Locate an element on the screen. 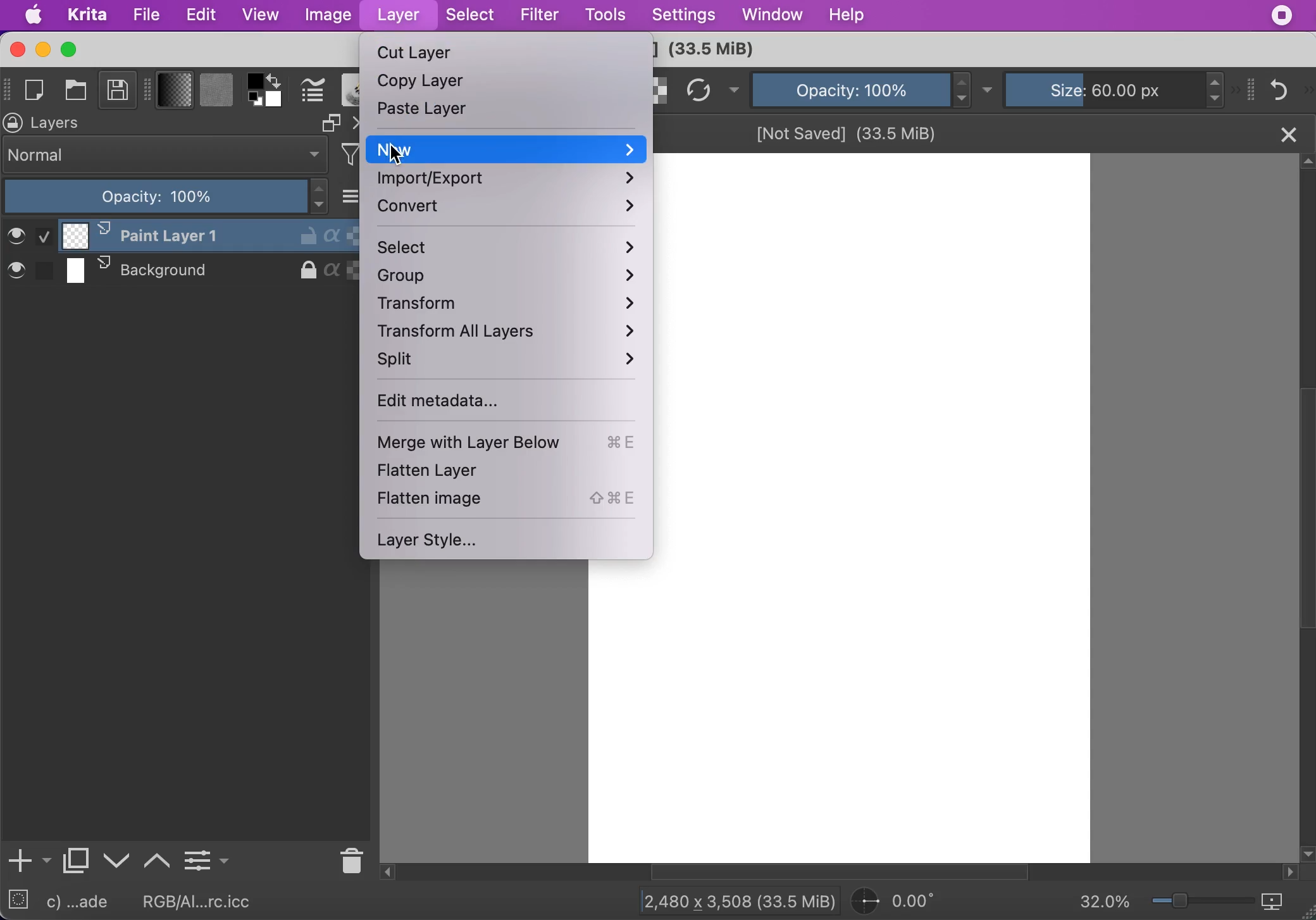 Image resolution: width=1316 pixels, height=920 pixels. set foreground color is located at coordinates (256, 80).